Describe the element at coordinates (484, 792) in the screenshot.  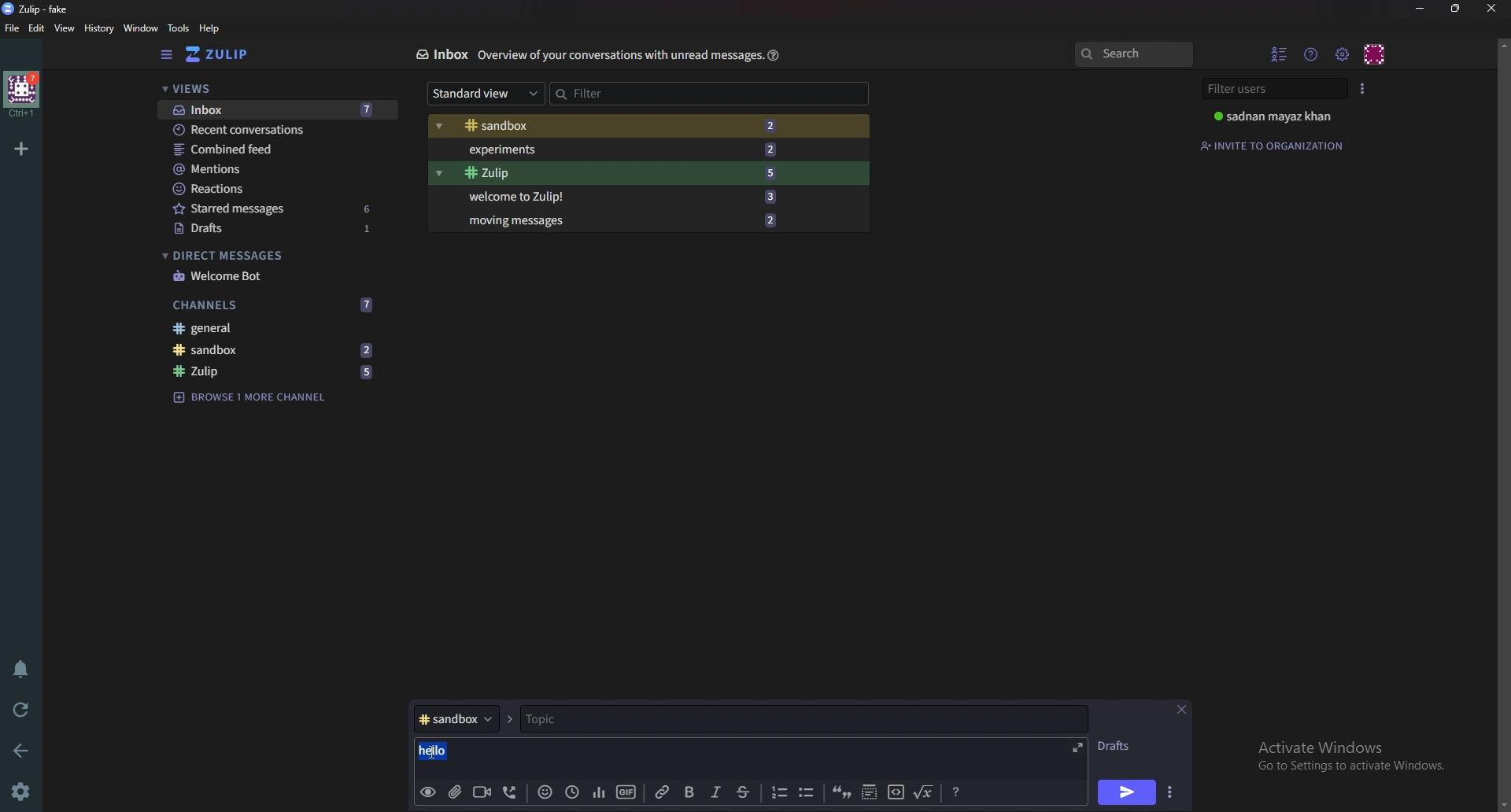
I see `Video call` at that location.